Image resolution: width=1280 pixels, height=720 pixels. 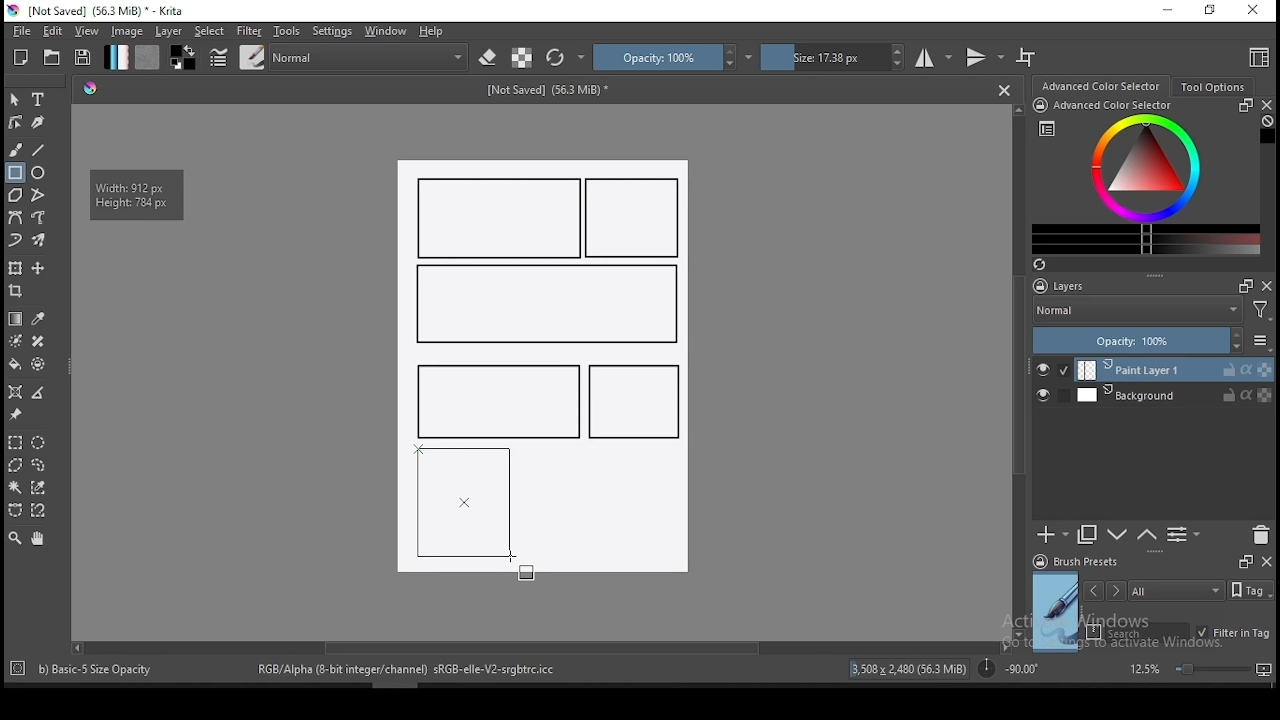 What do you see at coordinates (1240, 285) in the screenshot?
I see `Frames` at bounding box center [1240, 285].